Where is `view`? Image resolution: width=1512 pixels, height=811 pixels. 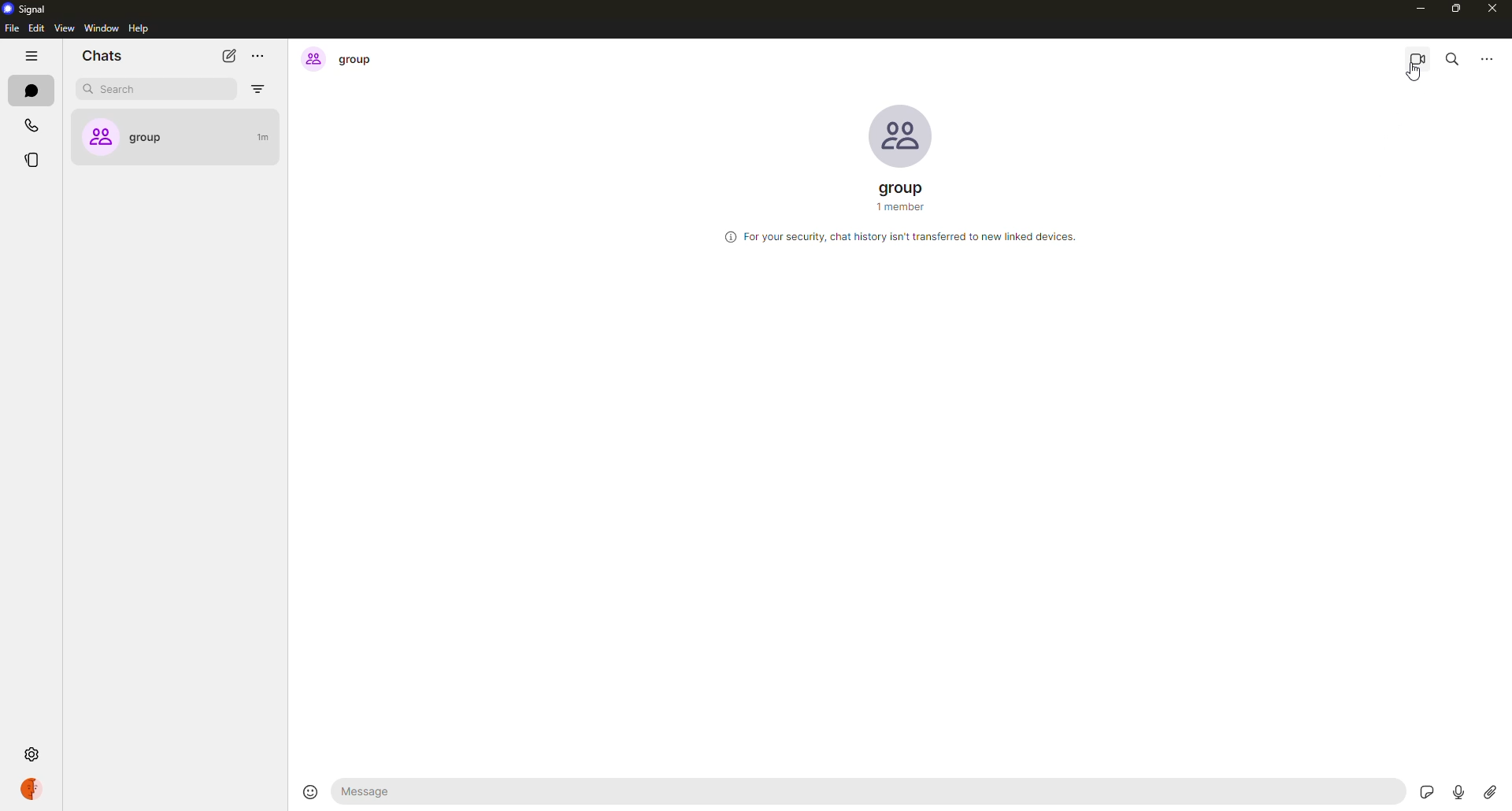
view is located at coordinates (65, 28).